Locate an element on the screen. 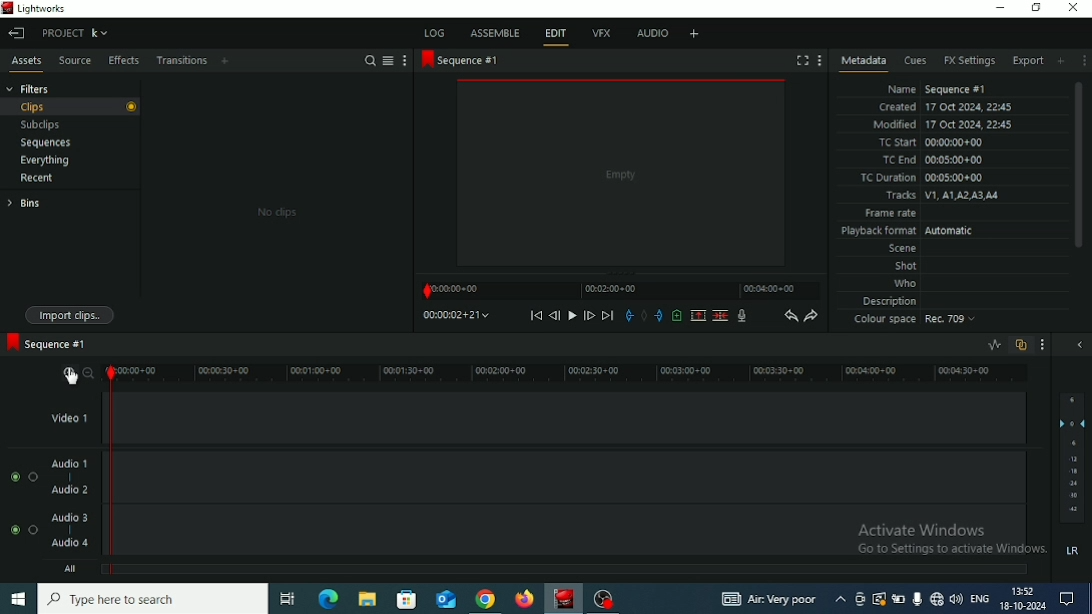 The width and height of the screenshot is (1092, 614). Export is located at coordinates (1028, 60).